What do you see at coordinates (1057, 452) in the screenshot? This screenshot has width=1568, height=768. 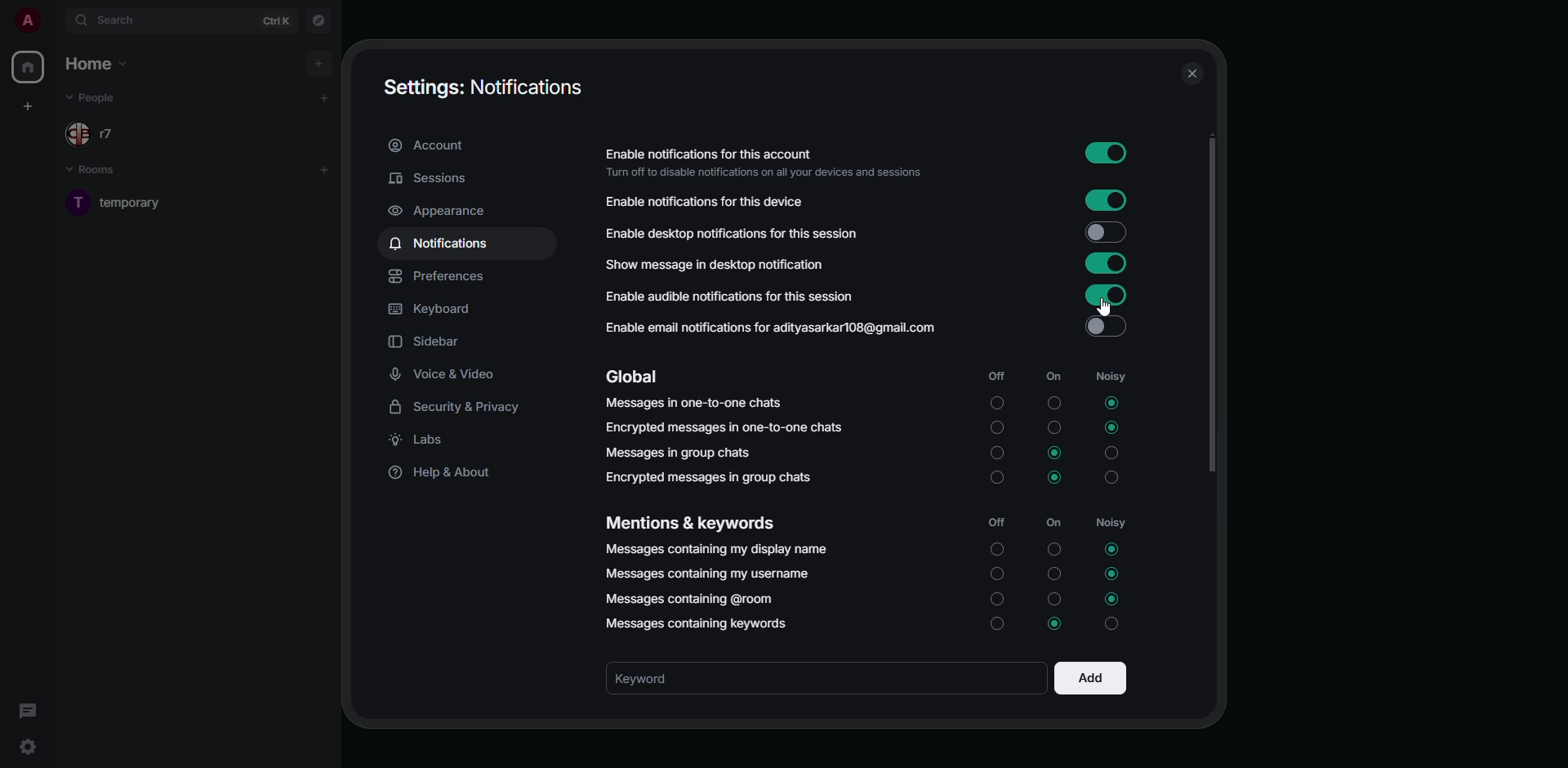 I see `selected` at bounding box center [1057, 452].